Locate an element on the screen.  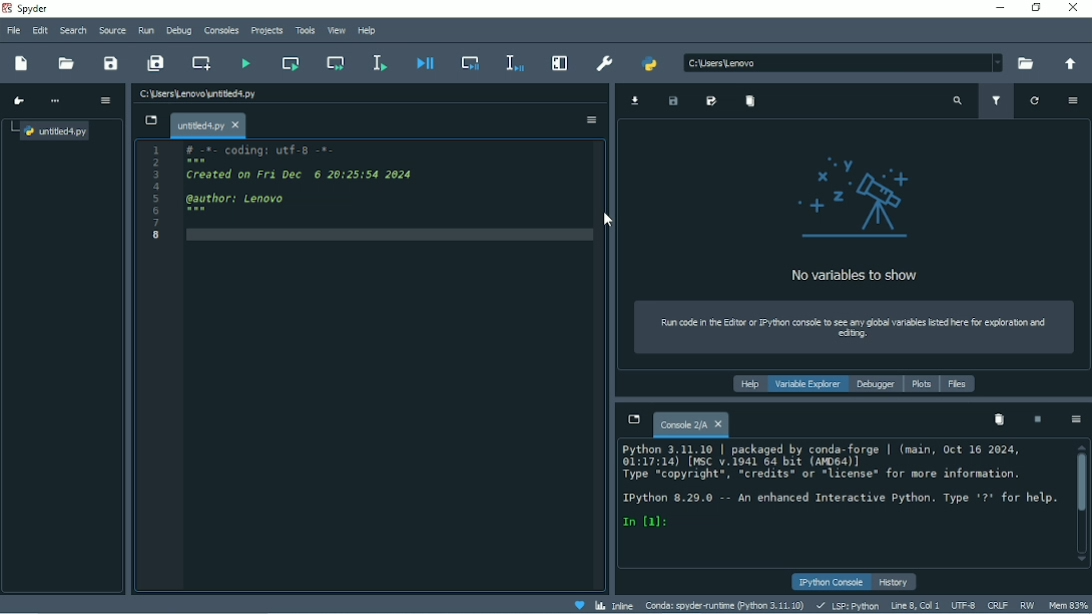
Save all files is located at coordinates (159, 63).